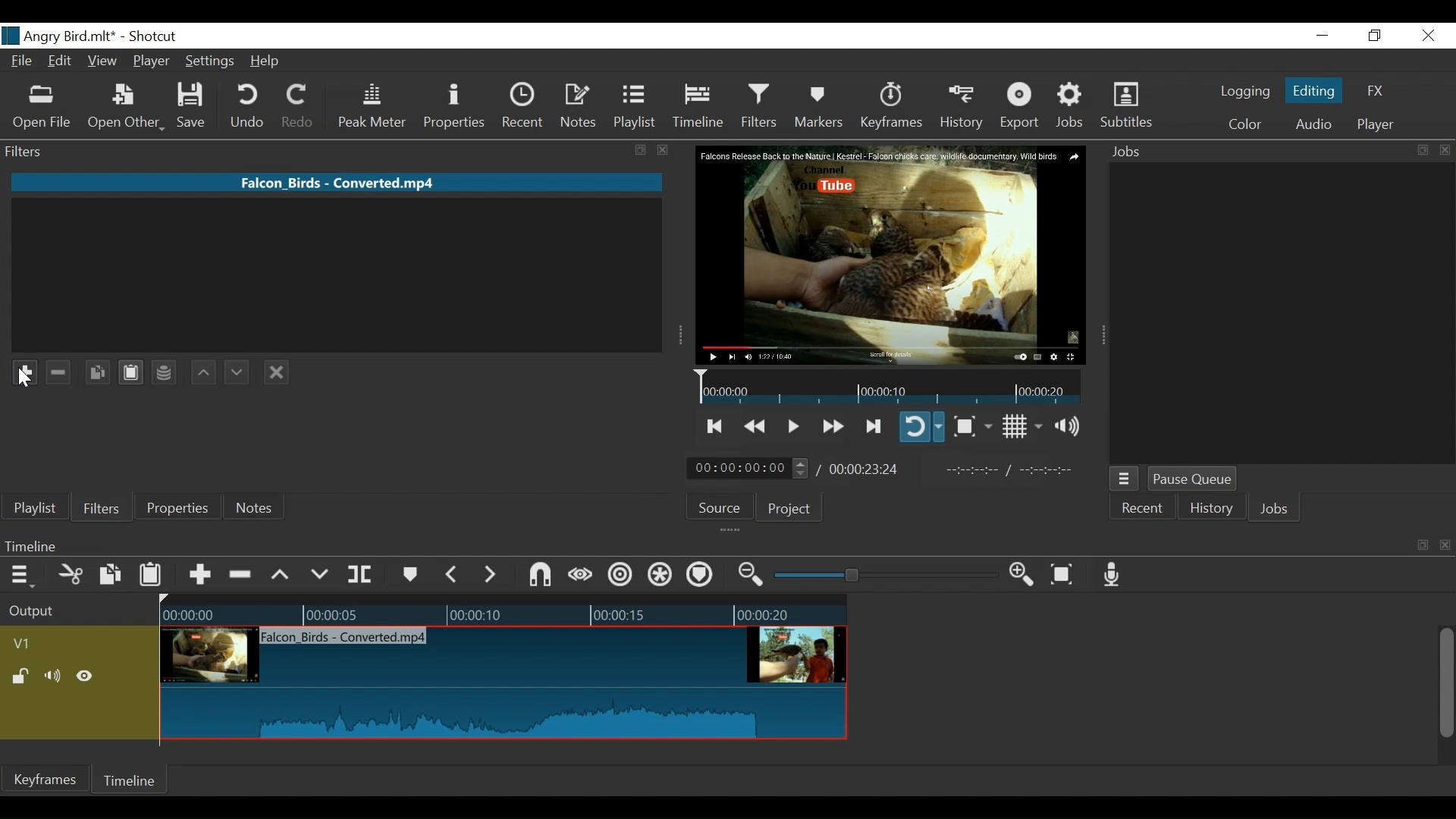 The image size is (1456, 819). What do you see at coordinates (972, 426) in the screenshot?
I see `Toggle zoom` at bounding box center [972, 426].